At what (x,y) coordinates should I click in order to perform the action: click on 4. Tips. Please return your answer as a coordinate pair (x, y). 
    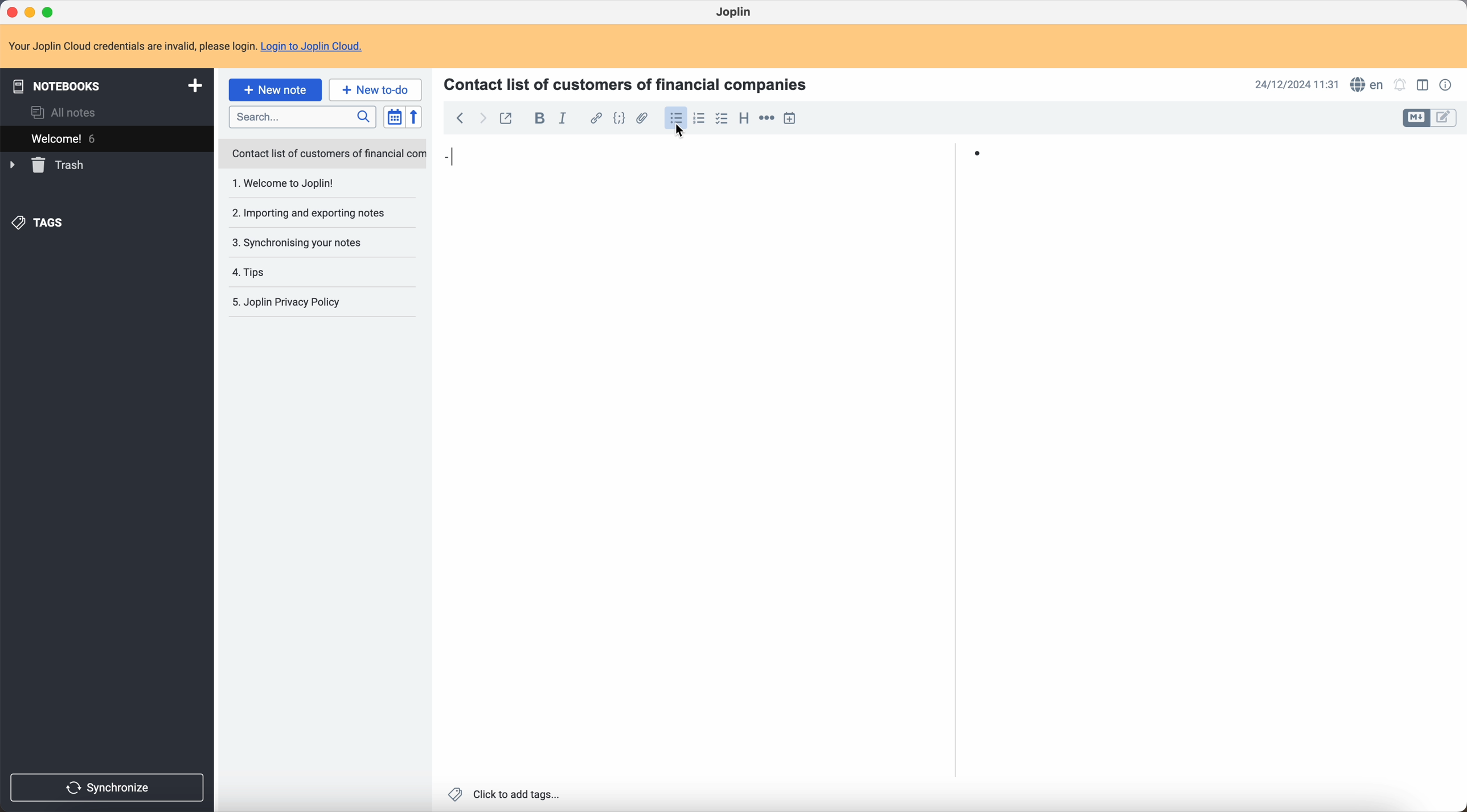
    Looking at the image, I should click on (284, 272).